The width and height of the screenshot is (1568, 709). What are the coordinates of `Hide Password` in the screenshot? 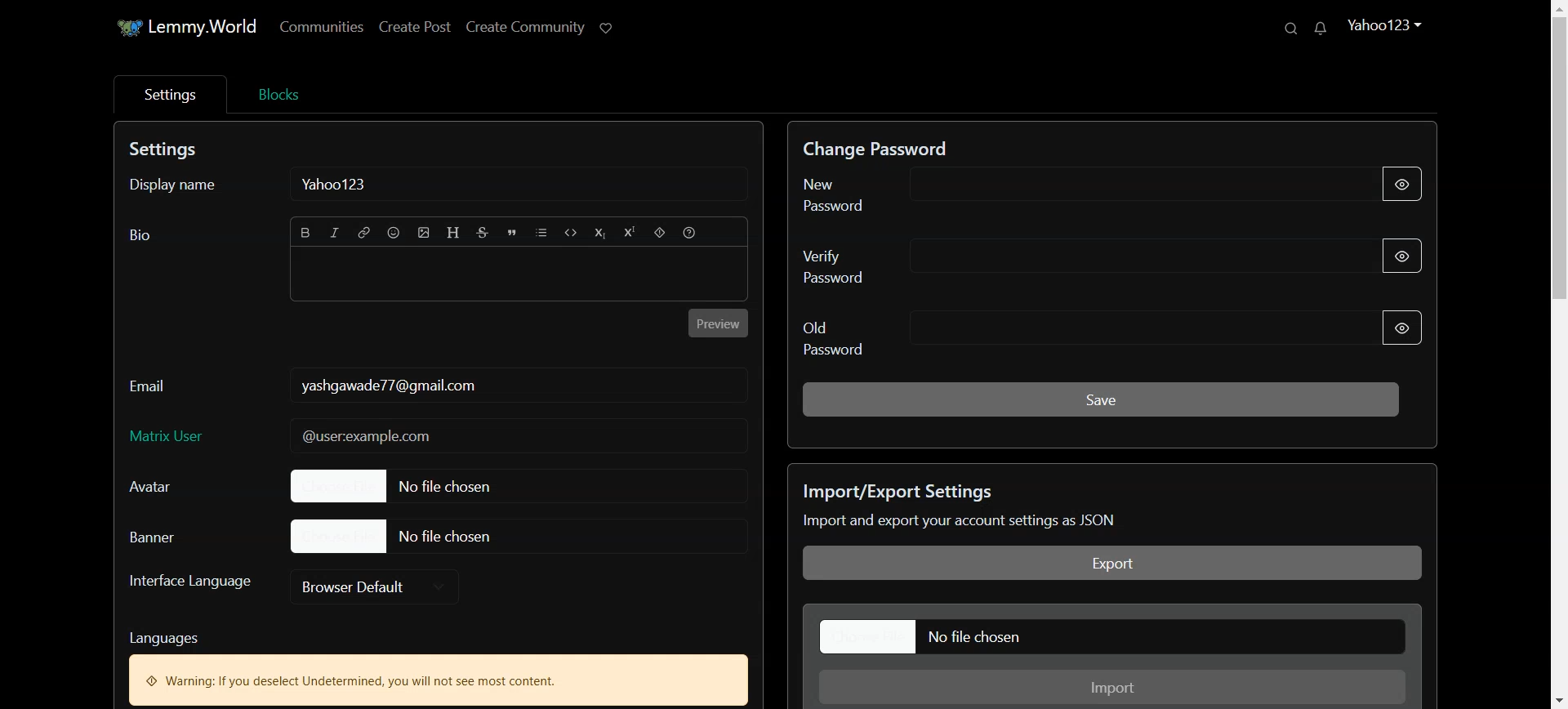 It's located at (1405, 185).